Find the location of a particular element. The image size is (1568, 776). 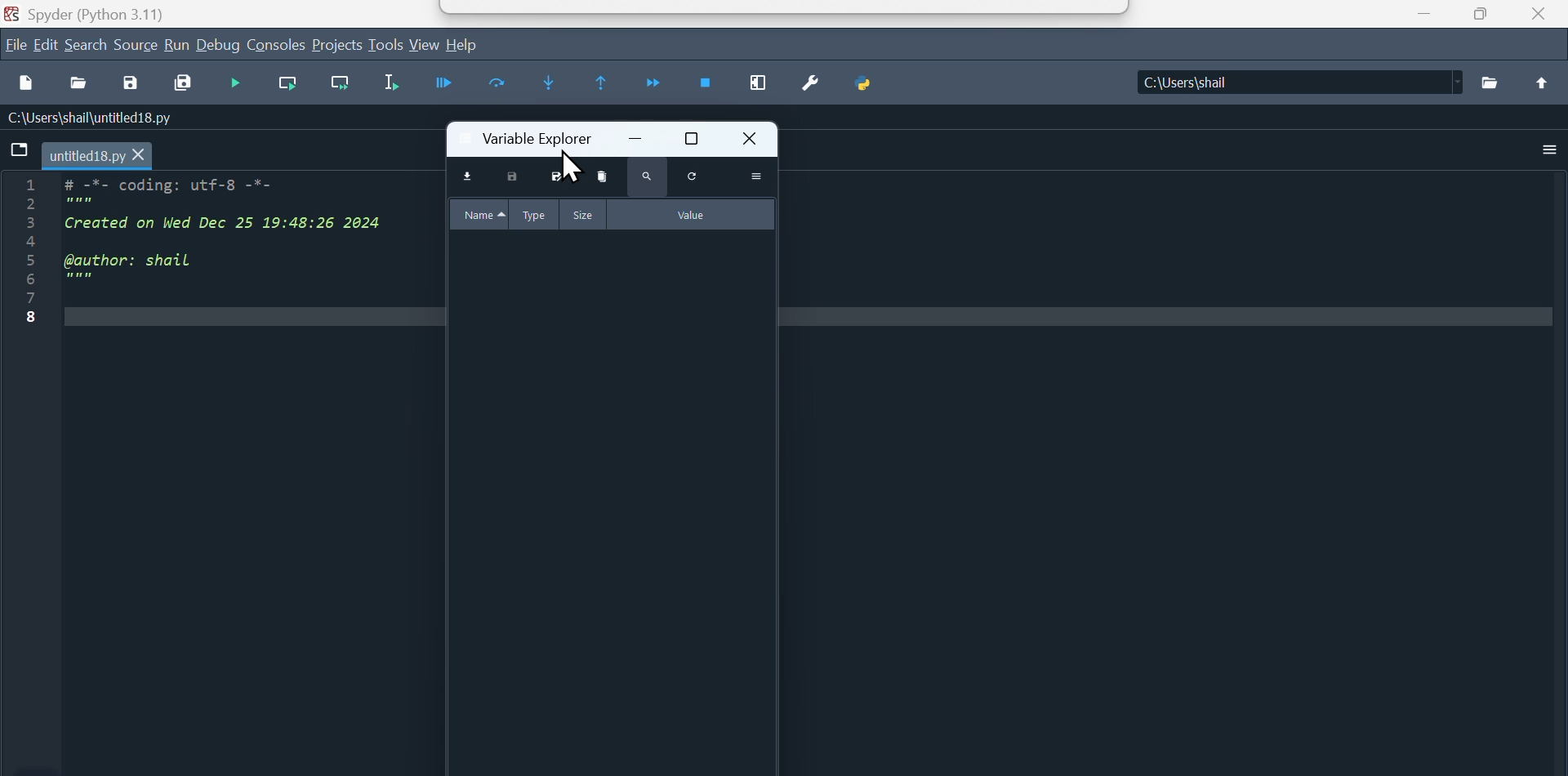

Run Current cell is located at coordinates (292, 84).